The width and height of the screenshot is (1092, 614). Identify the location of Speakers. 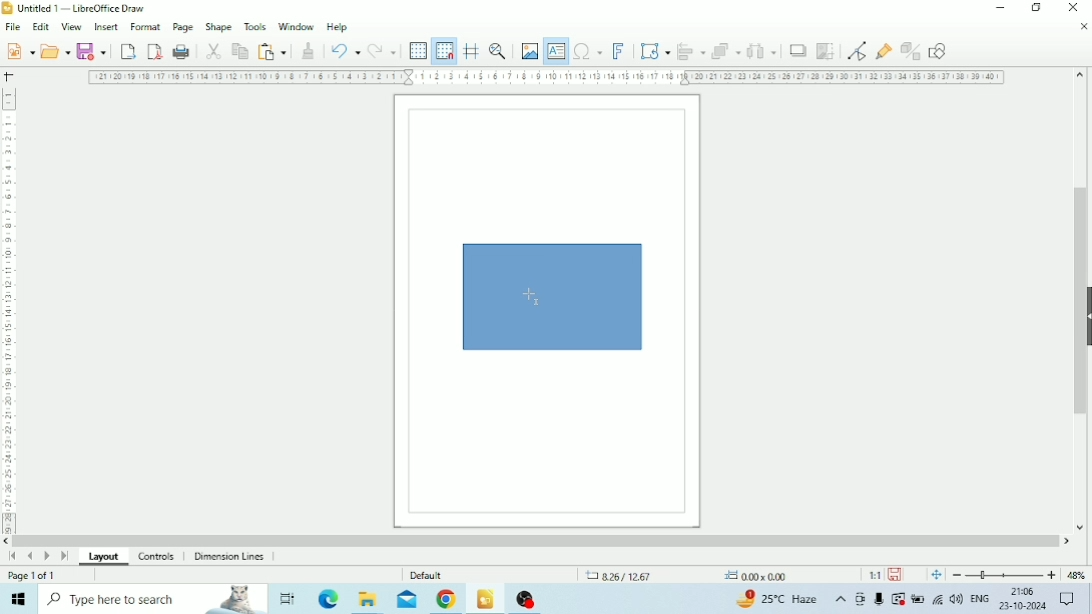
(957, 599).